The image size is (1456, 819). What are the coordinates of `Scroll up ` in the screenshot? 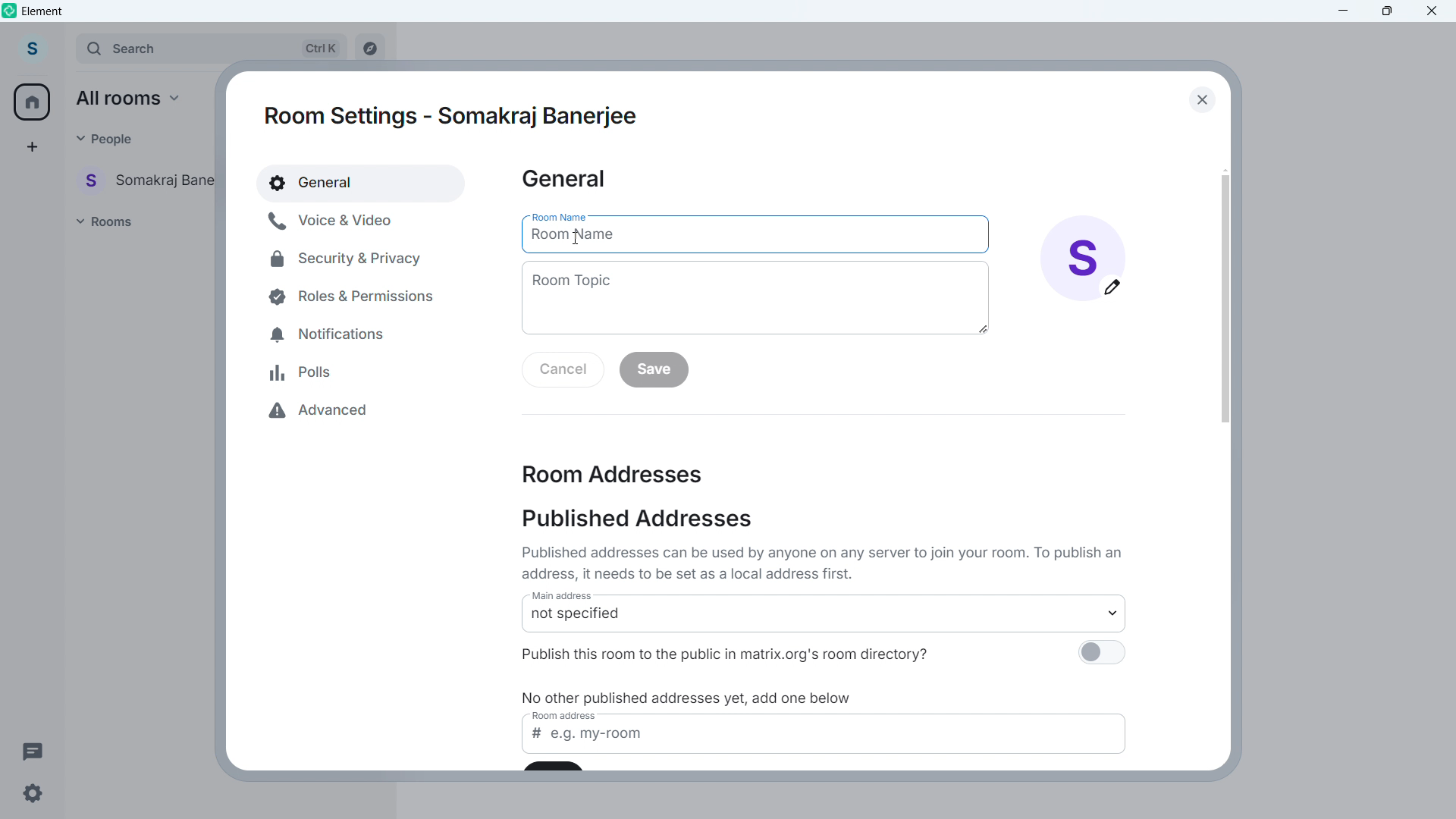 It's located at (1225, 169).